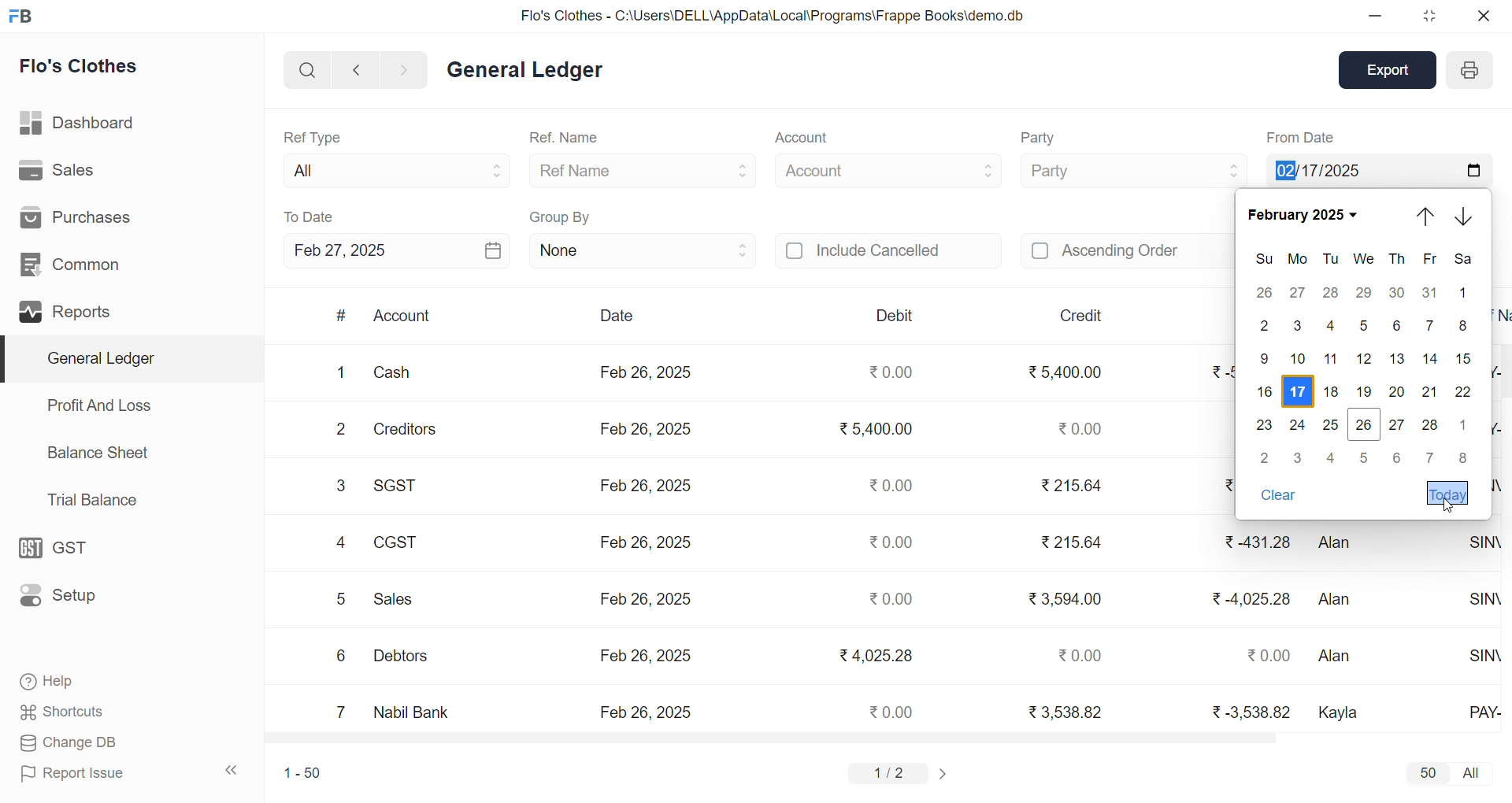  I want to click on CHANGE PAGE, so click(945, 773).